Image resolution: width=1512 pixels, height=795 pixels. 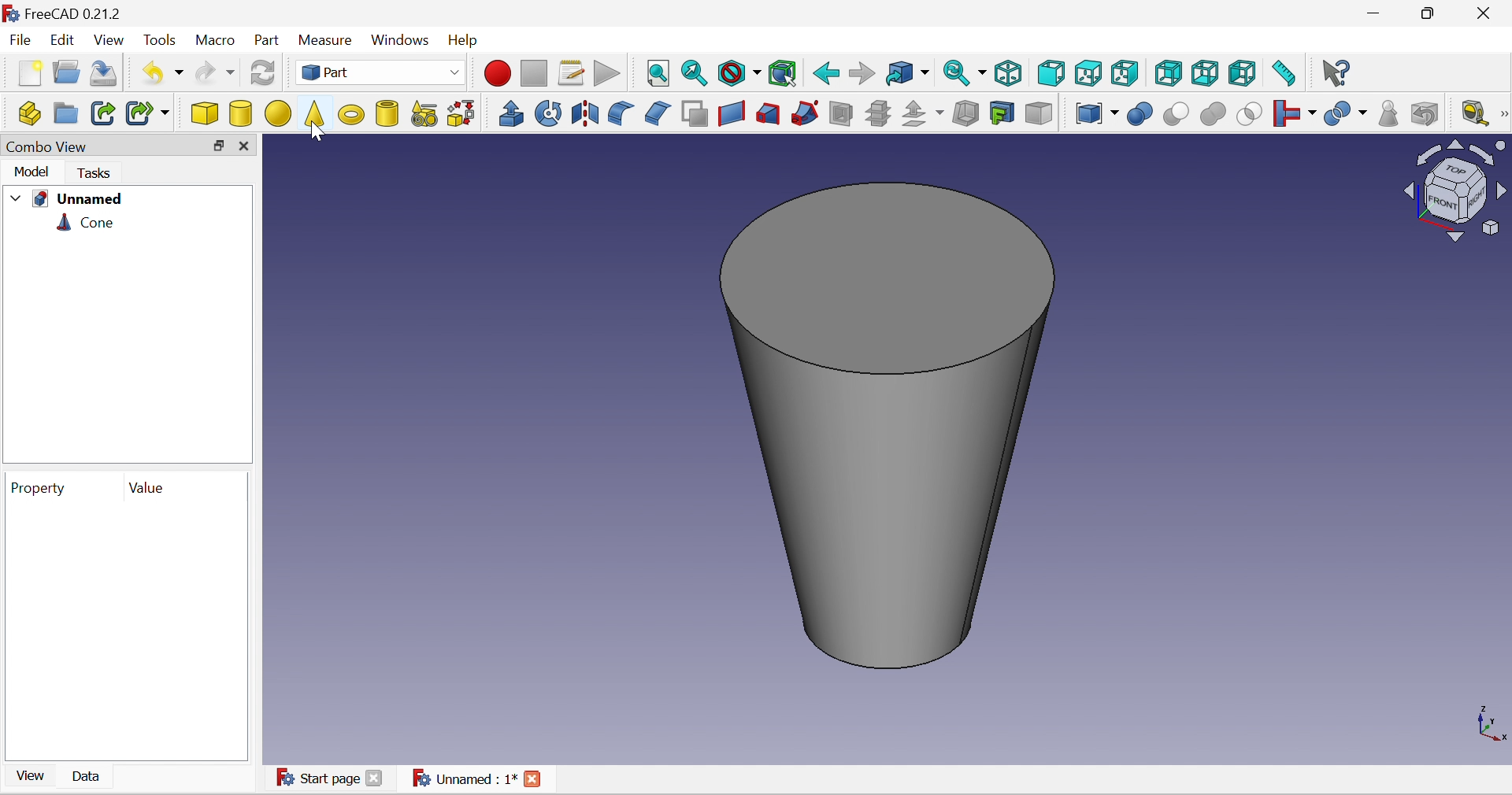 What do you see at coordinates (39, 487) in the screenshot?
I see `Property` at bounding box center [39, 487].